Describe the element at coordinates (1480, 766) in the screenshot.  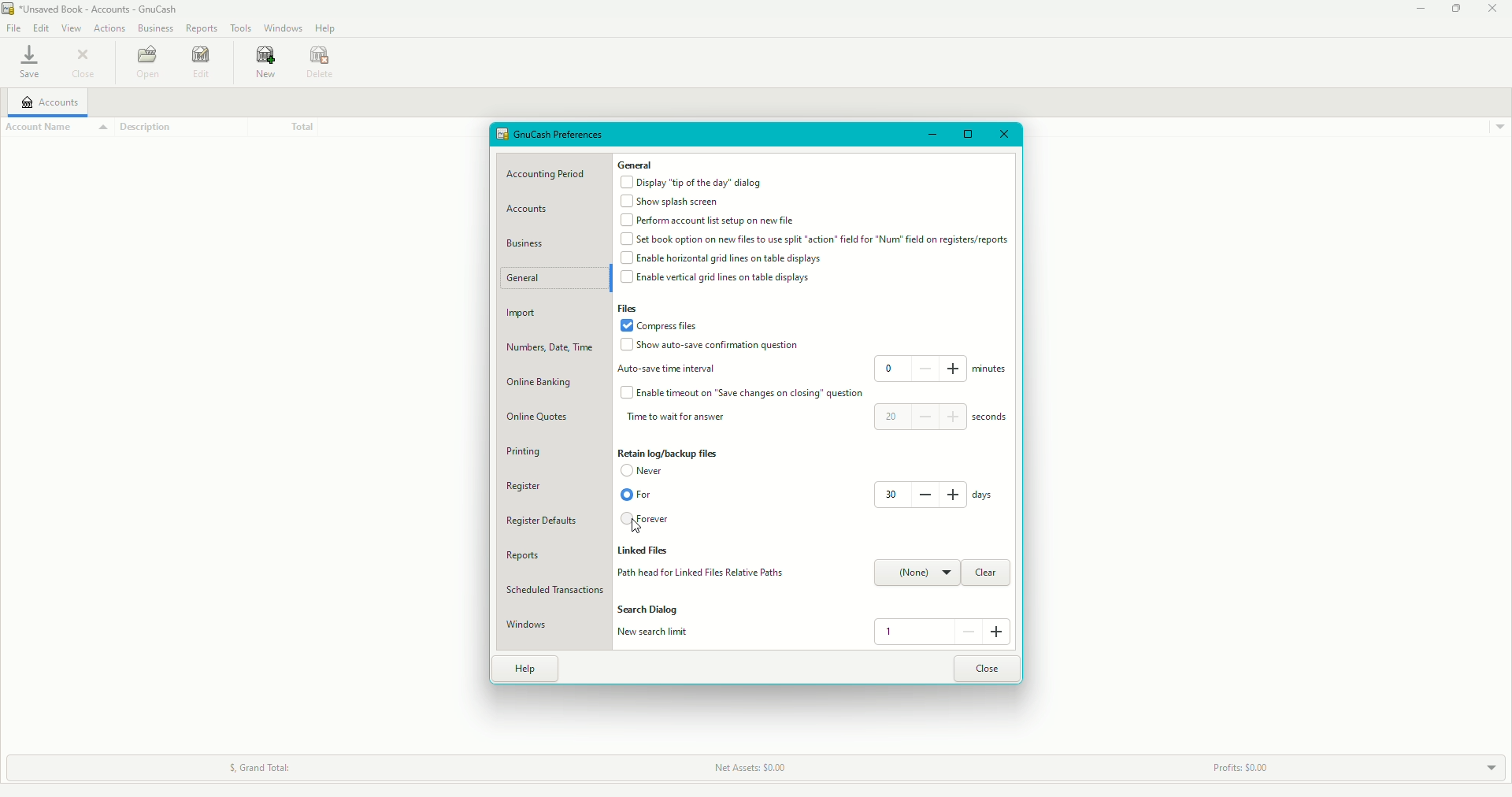
I see `Drop Down` at that location.